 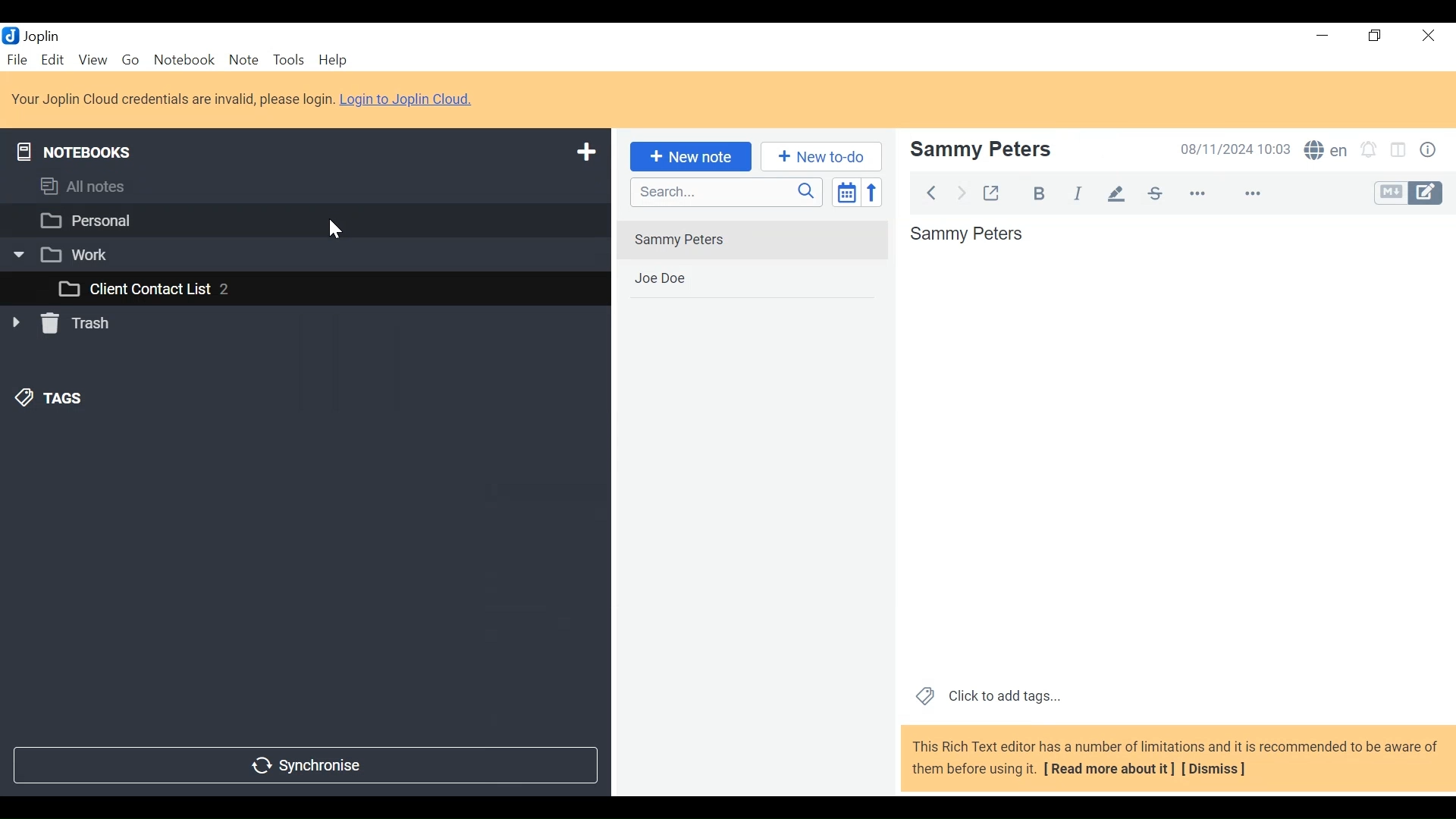 What do you see at coordinates (67, 324) in the screenshot?
I see `» WW Trash` at bounding box center [67, 324].